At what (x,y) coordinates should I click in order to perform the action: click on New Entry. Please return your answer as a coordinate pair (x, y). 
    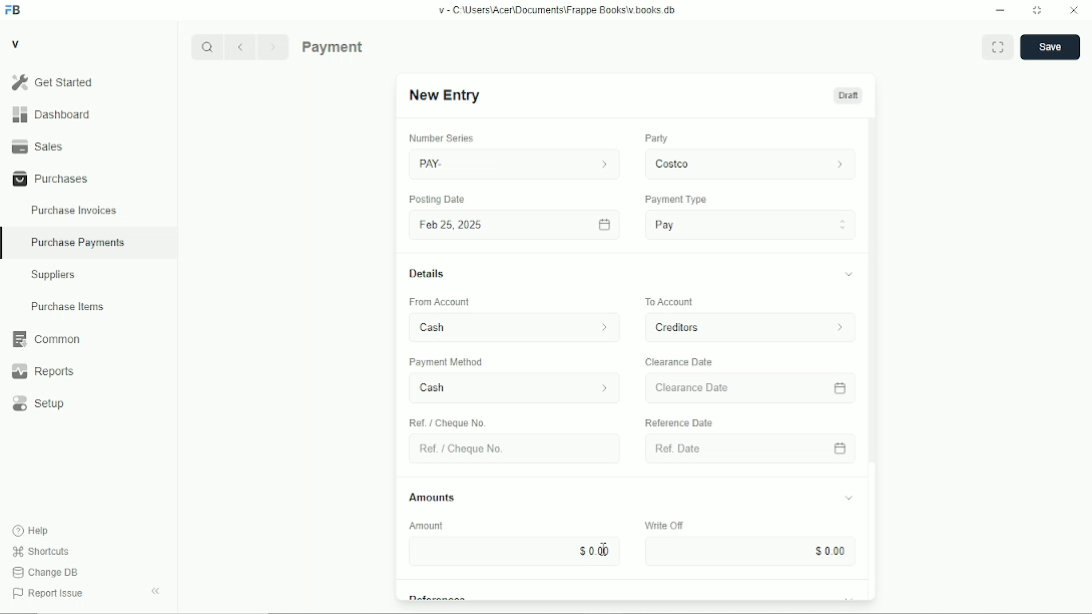
    Looking at the image, I should click on (447, 95).